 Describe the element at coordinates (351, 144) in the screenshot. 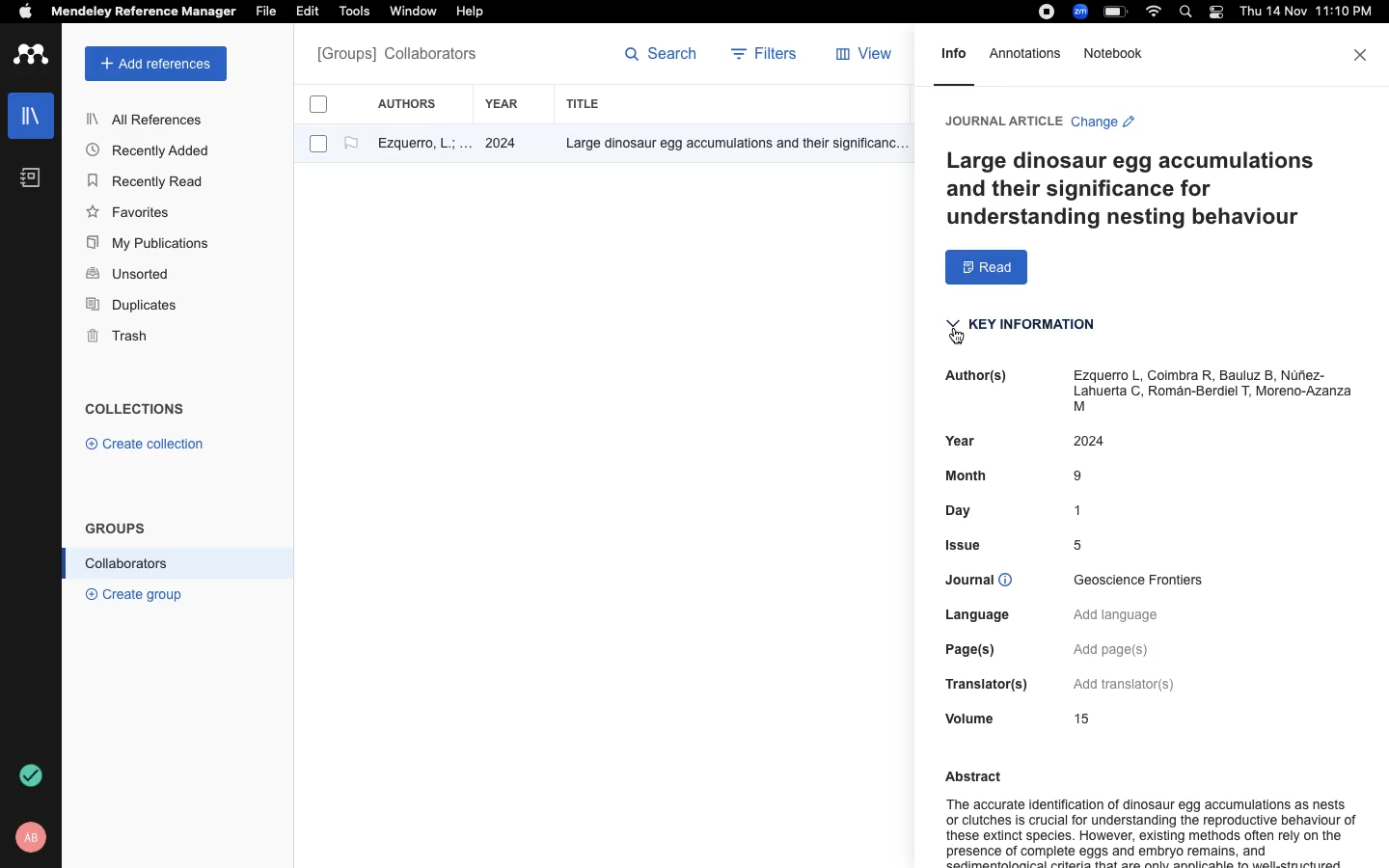

I see `flag` at that location.